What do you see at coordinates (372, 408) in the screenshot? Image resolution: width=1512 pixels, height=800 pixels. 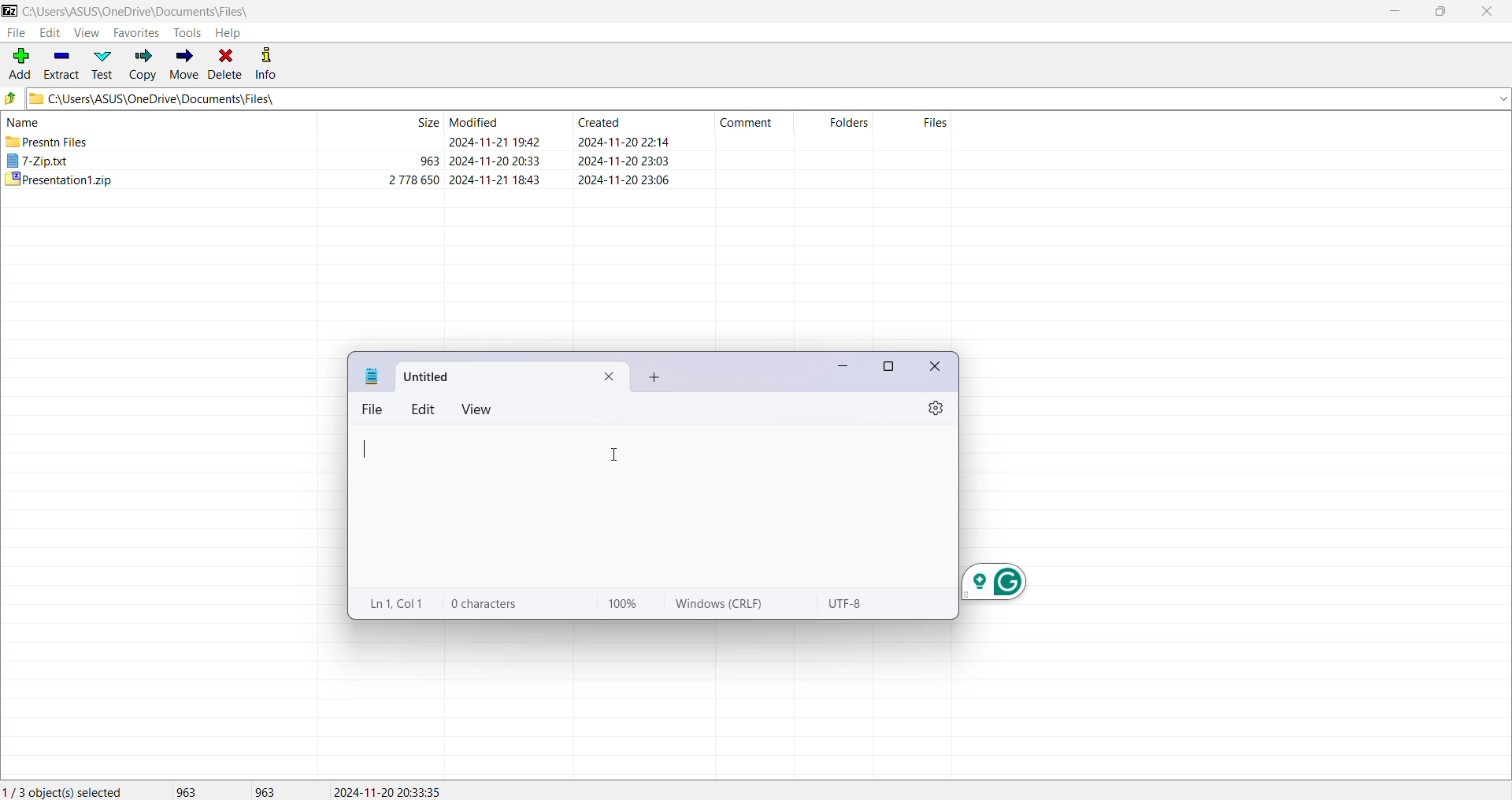 I see `file` at bounding box center [372, 408].